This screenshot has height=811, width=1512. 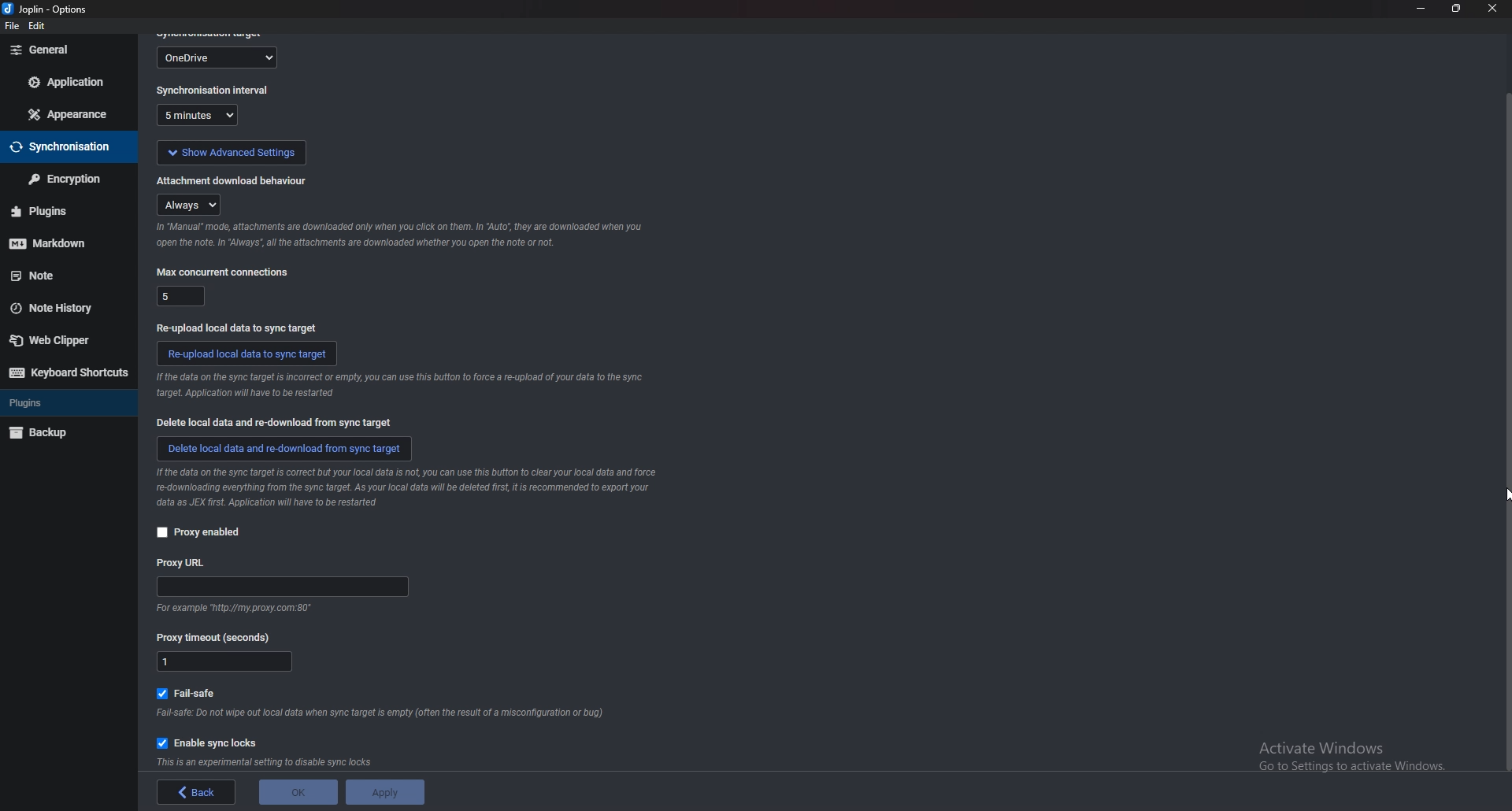 What do you see at coordinates (183, 562) in the screenshot?
I see `proxy url` at bounding box center [183, 562].